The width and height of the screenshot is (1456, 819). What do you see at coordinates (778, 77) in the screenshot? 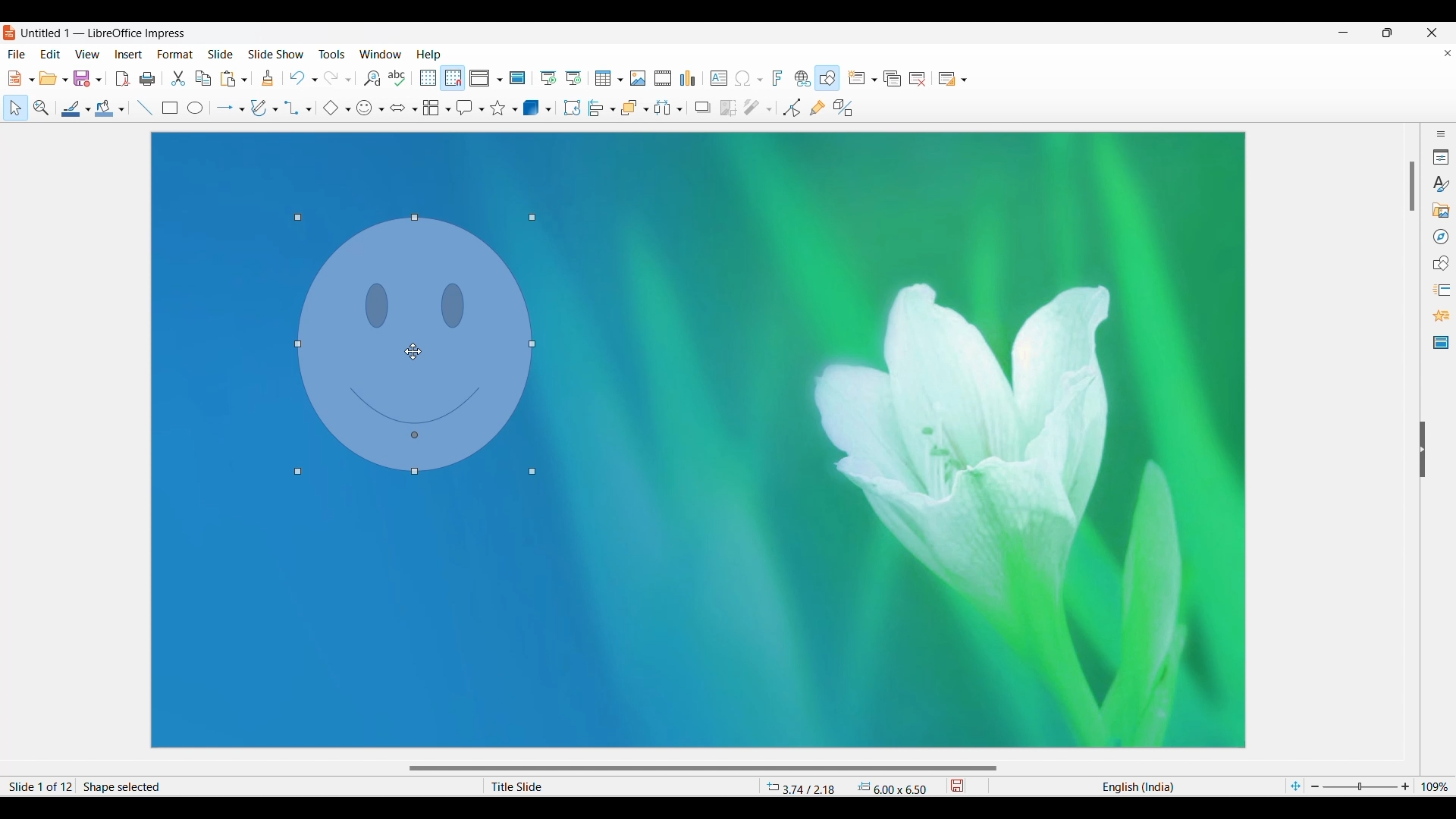
I see `Insert fontwork text` at bounding box center [778, 77].